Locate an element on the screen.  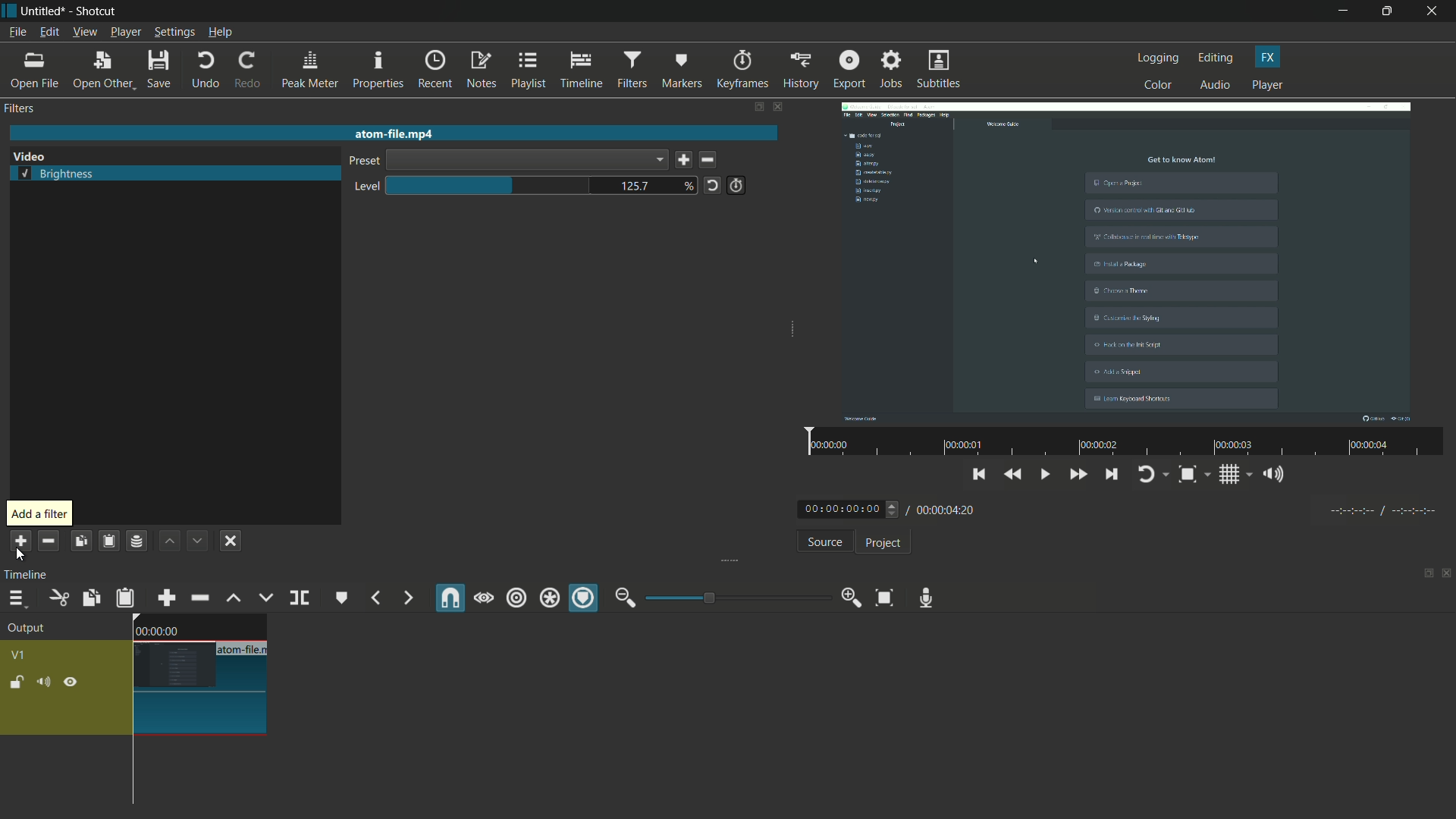
logging is located at coordinates (1159, 58).